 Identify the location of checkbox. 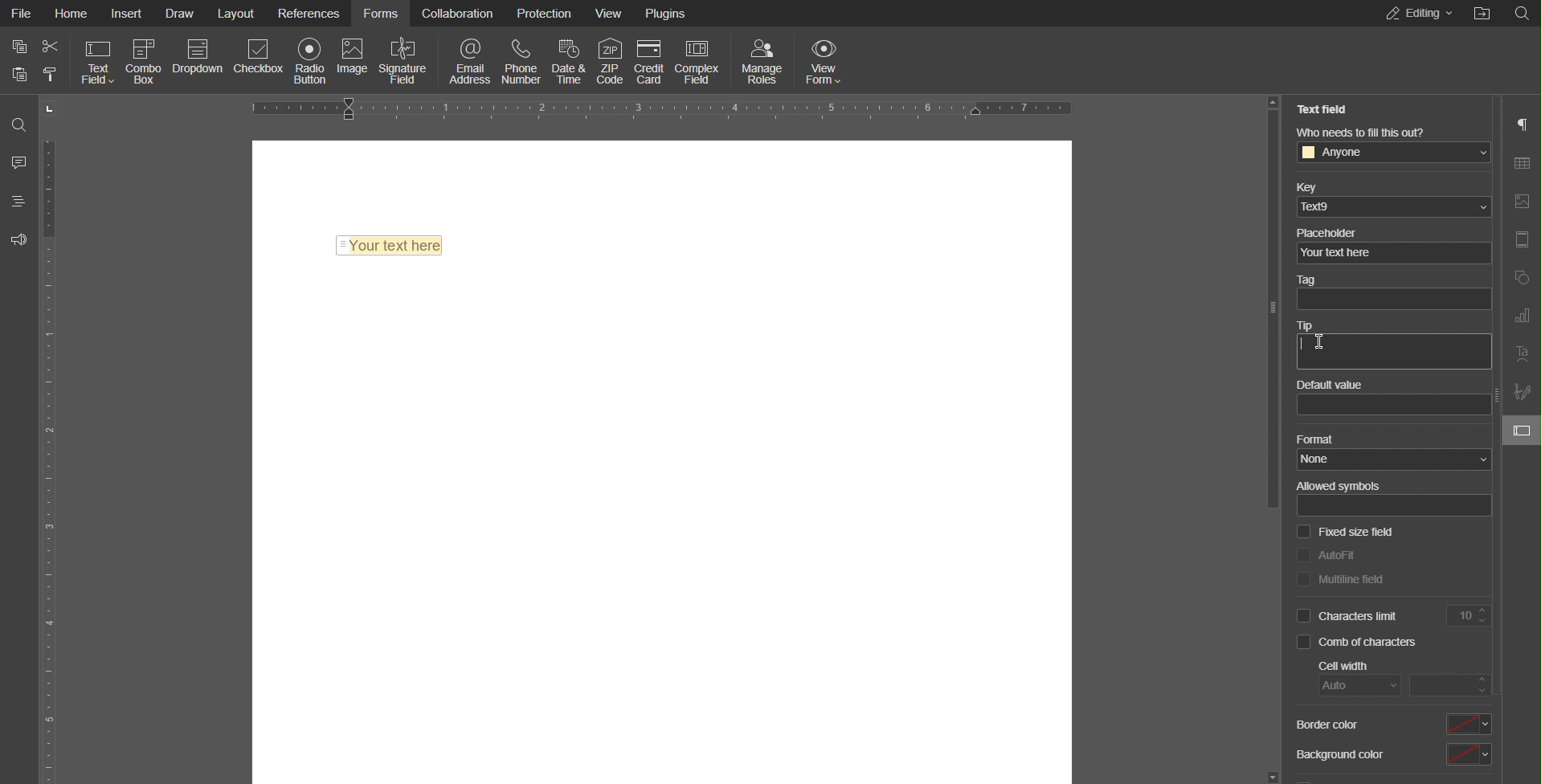
(1306, 530).